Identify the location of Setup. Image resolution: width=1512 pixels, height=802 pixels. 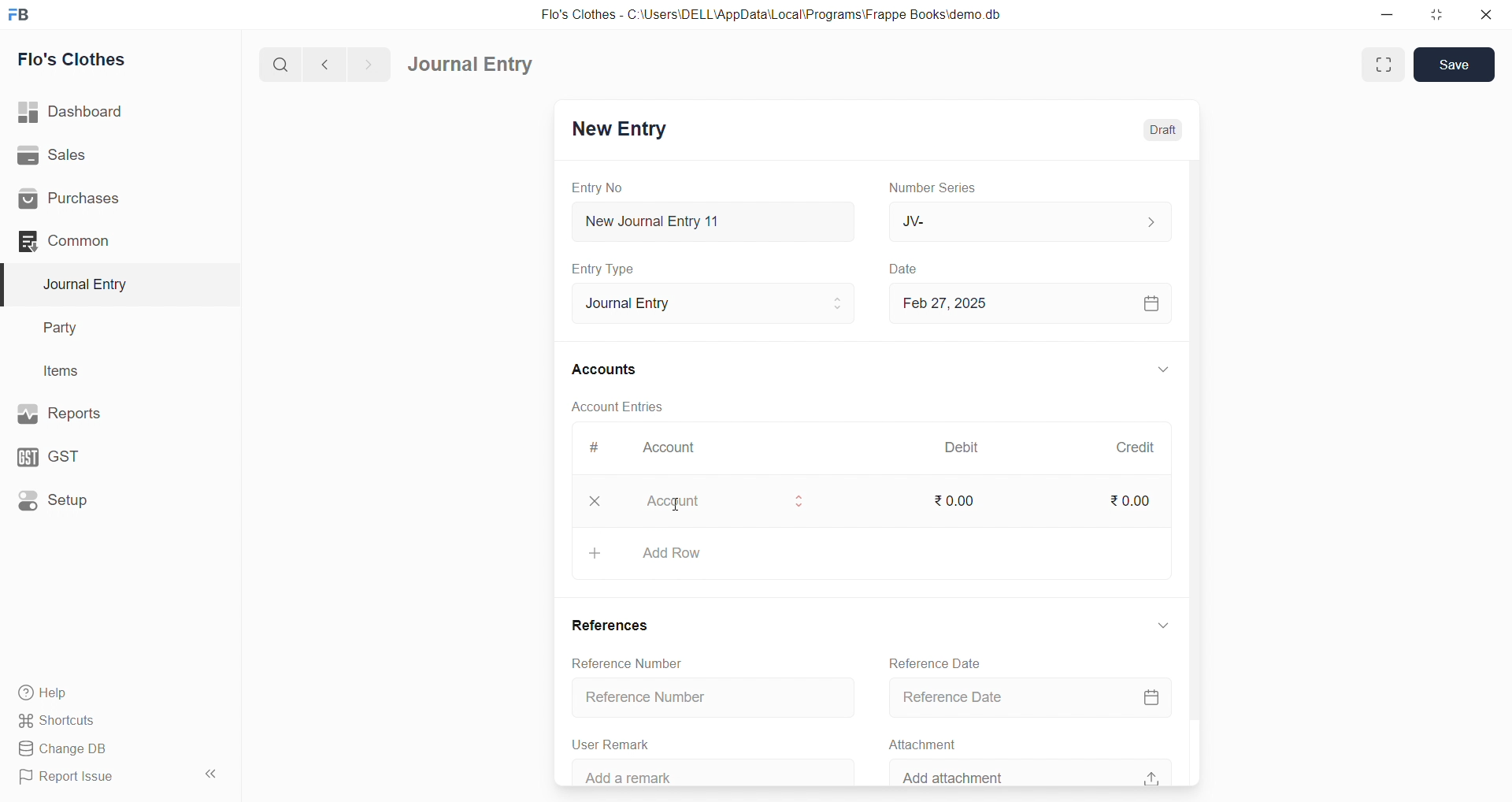
(91, 503).